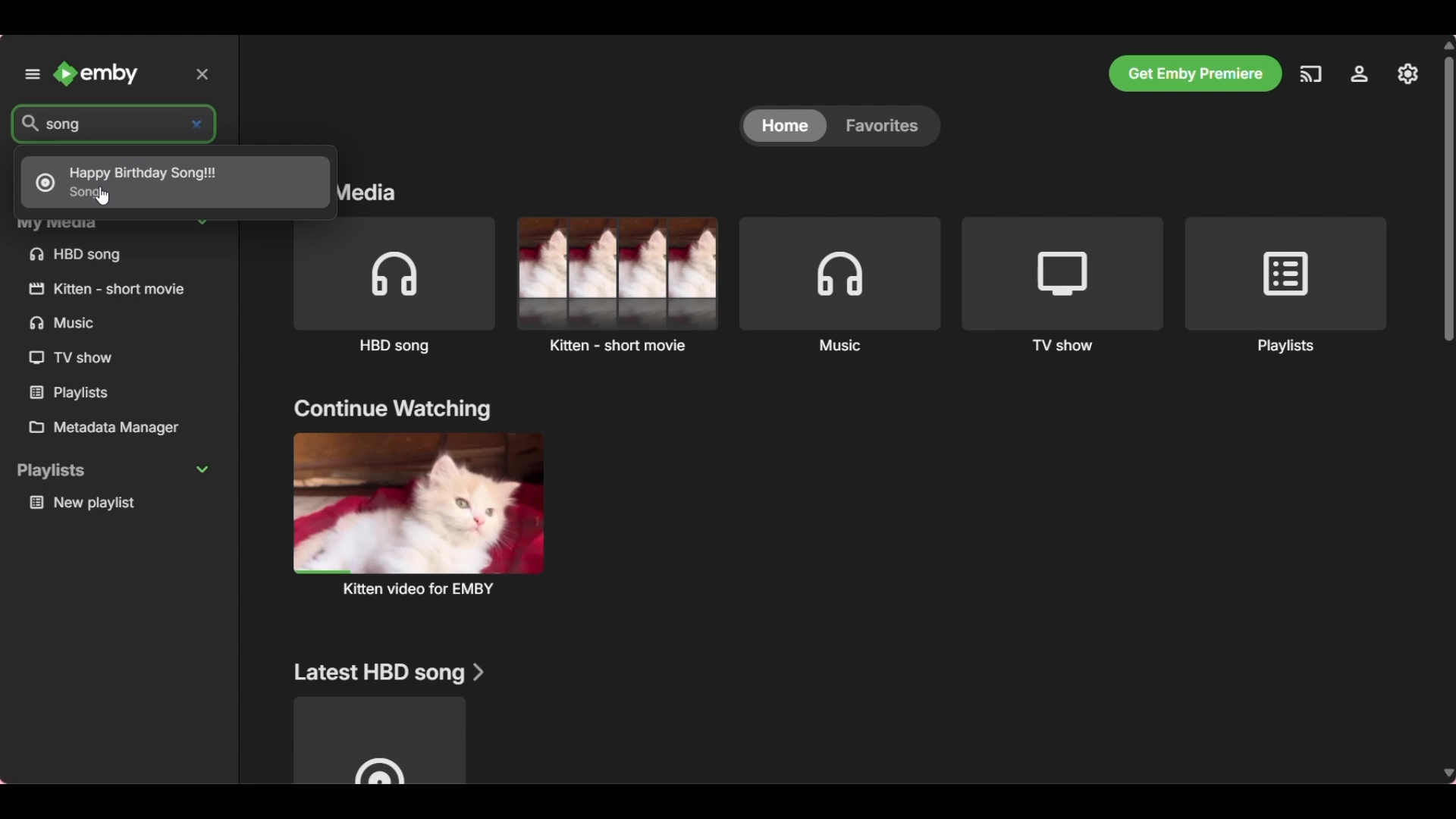 Image resolution: width=1456 pixels, height=819 pixels. What do you see at coordinates (104, 196) in the screenshot?
I see `cursor` at bounding box center [104, 196].